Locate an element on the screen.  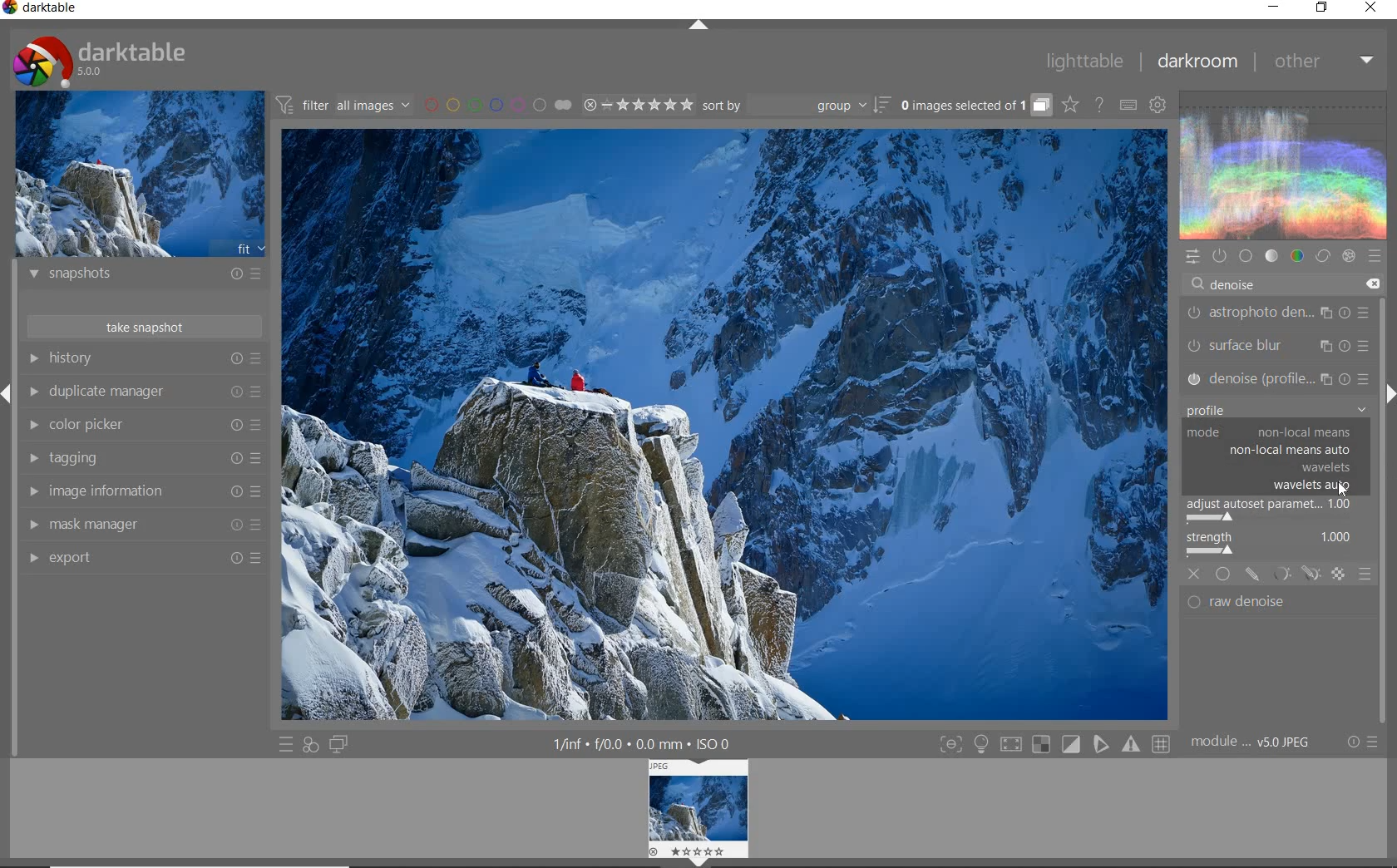
export is located at coordinates (141, 557).